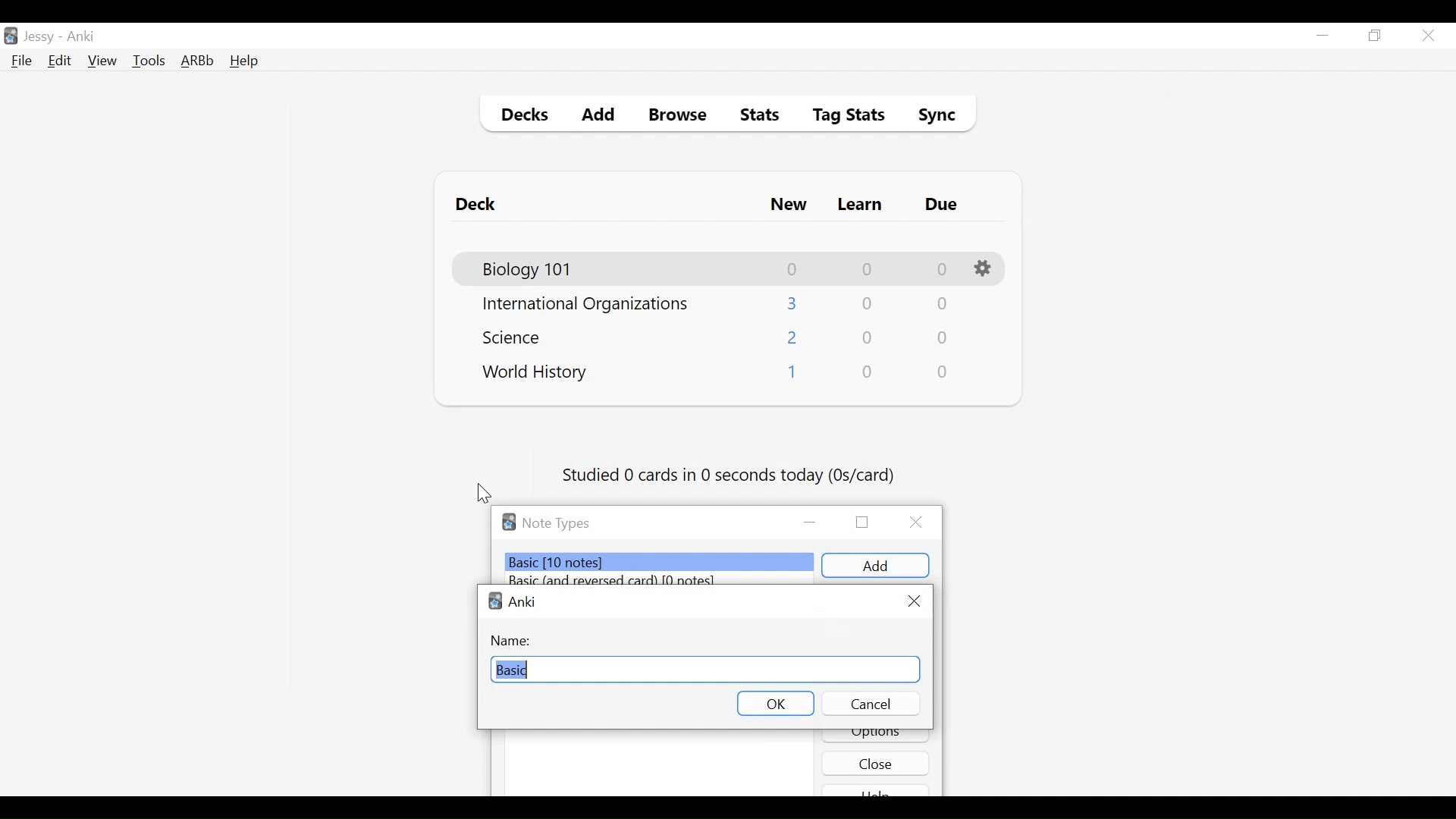  What do you see at coordinates (862, 521) in the screenshot?
I see `Restore` at bounding box center [862, 521].